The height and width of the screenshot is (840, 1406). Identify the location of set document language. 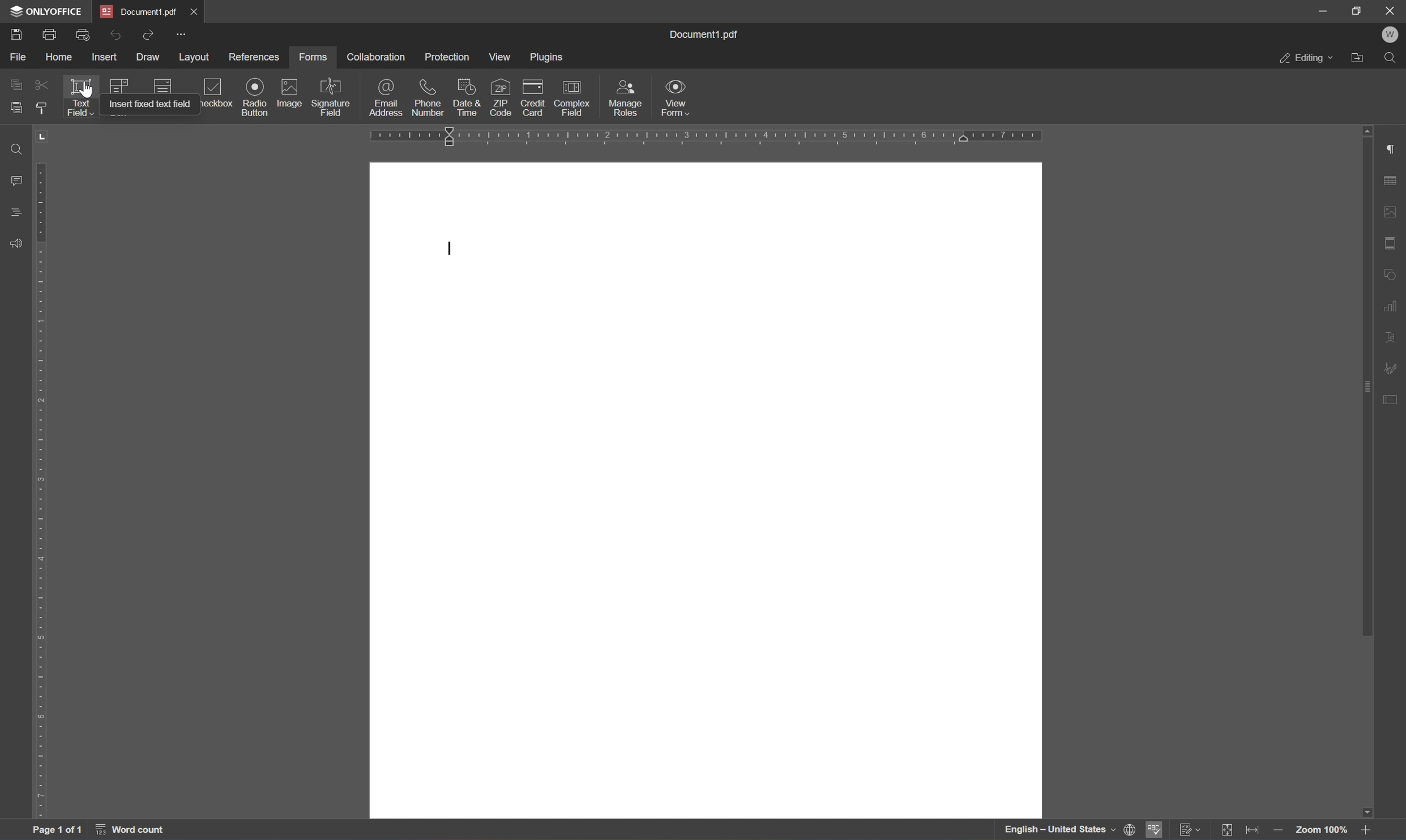
(1130, 830).